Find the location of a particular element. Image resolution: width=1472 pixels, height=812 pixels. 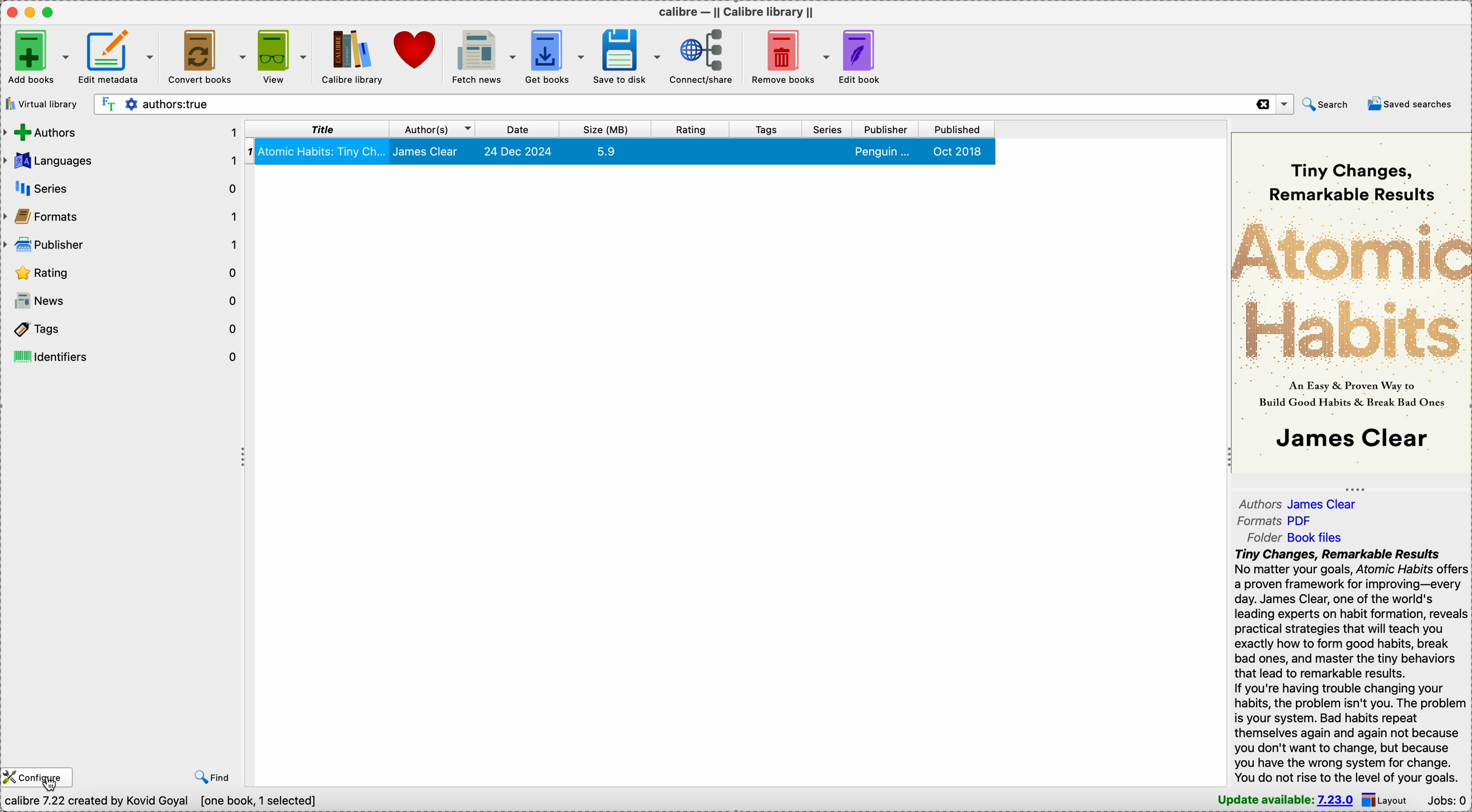

close Calibre is located at coordinates (10, 11).